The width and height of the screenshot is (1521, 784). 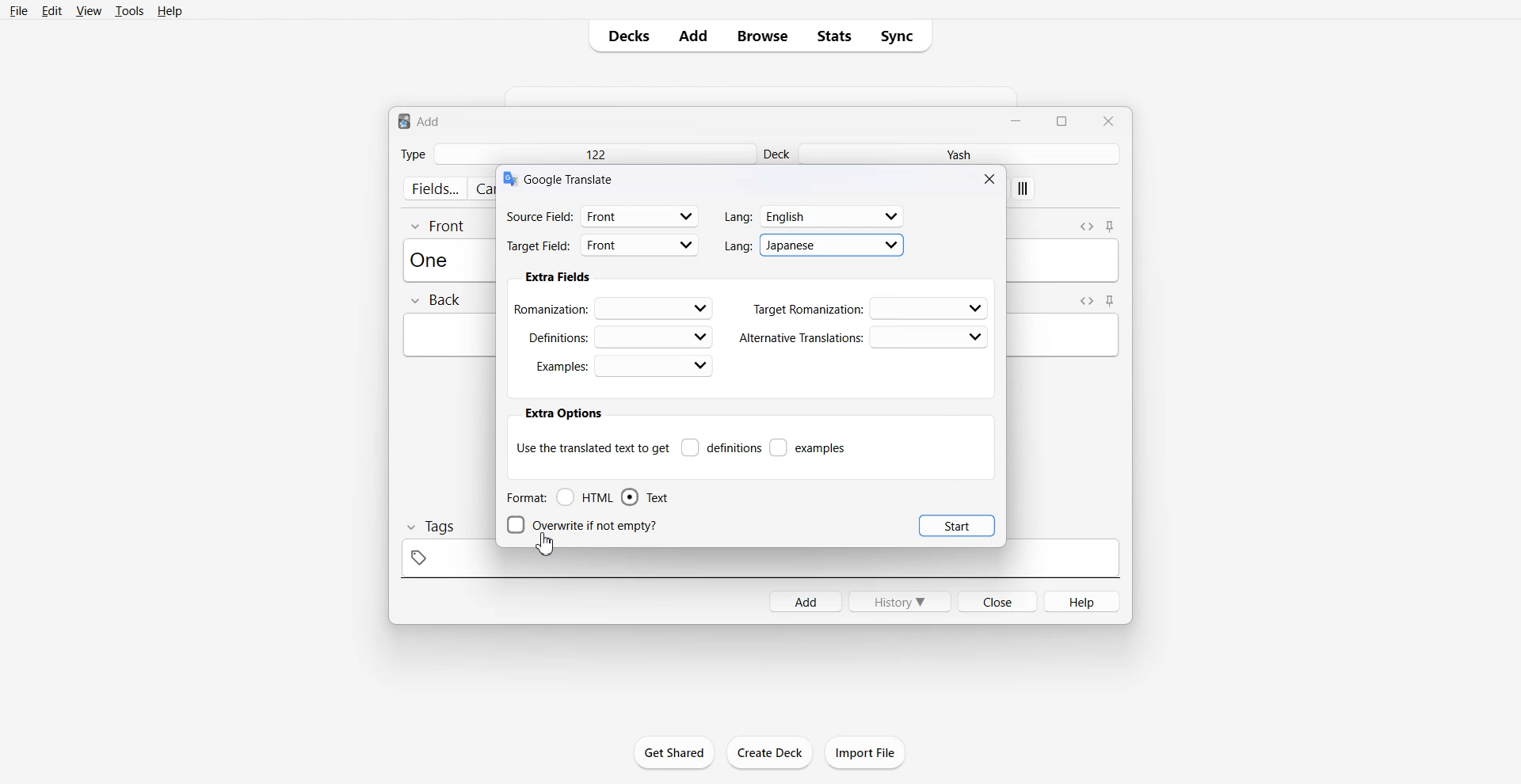 I want to click on Create Deck, so click(x=769, y=752).